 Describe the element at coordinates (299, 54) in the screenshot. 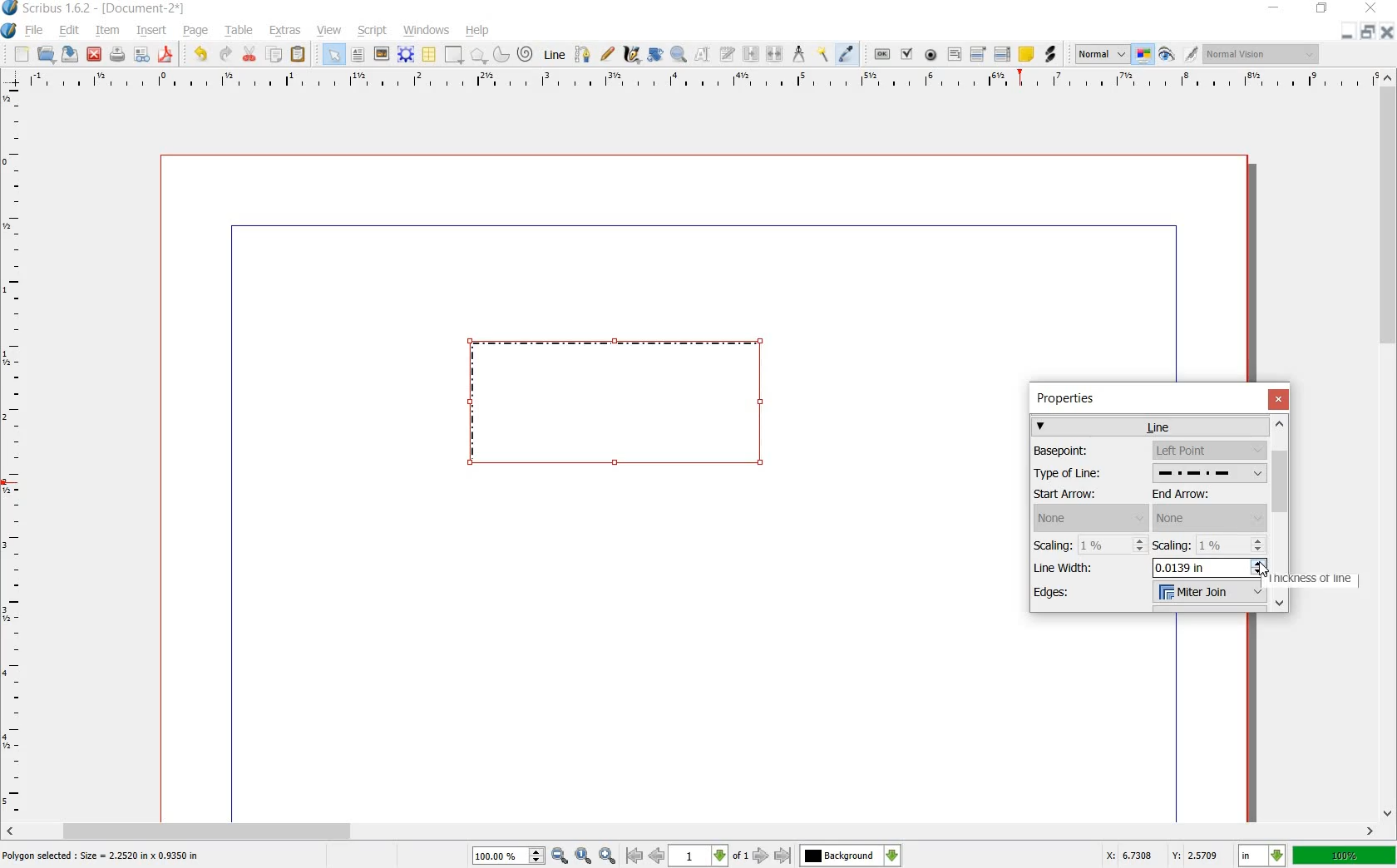

I see `PASTE` at that location.